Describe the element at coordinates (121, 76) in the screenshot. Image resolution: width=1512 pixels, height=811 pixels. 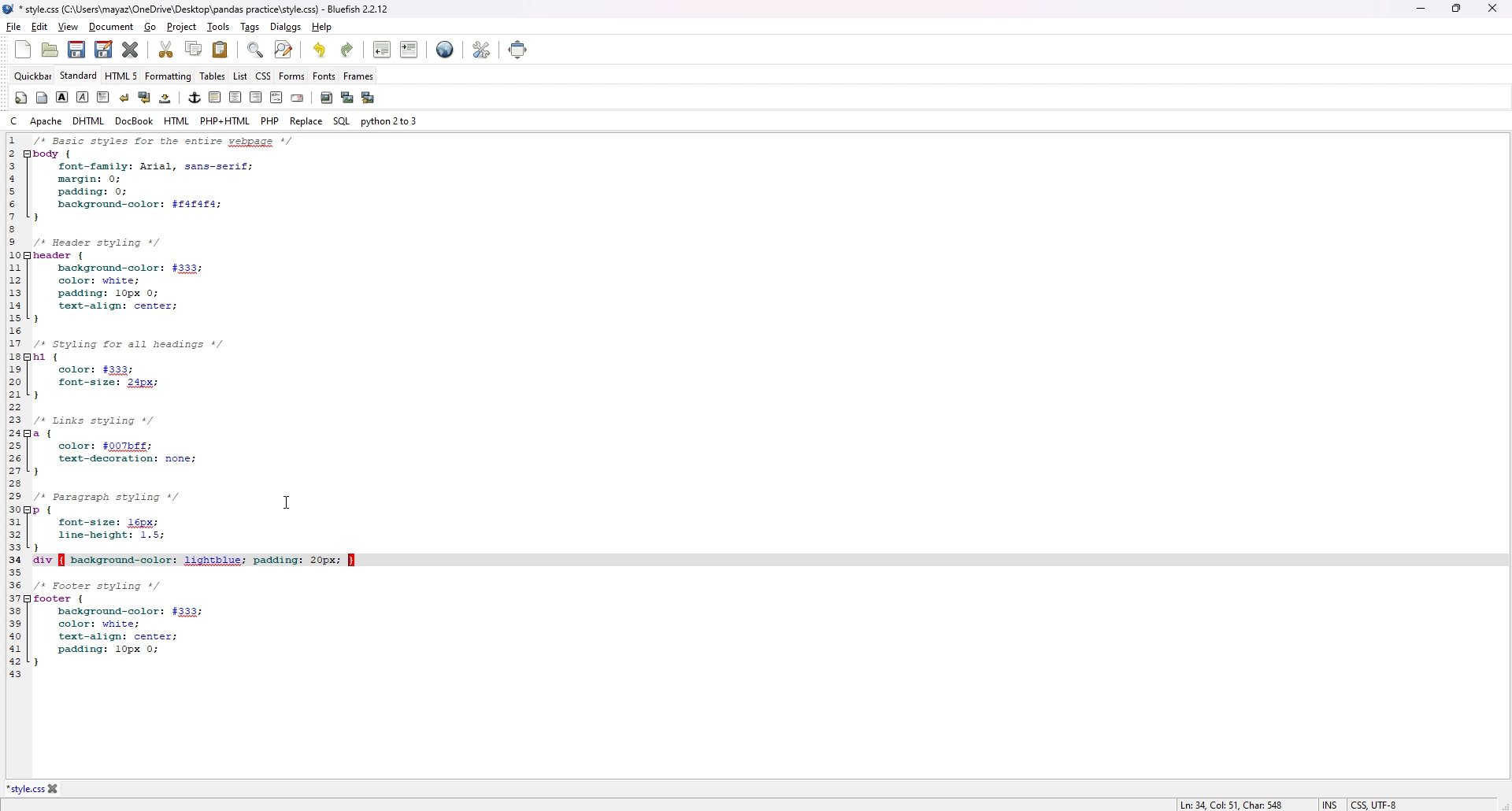
I see `html 5` at that location.